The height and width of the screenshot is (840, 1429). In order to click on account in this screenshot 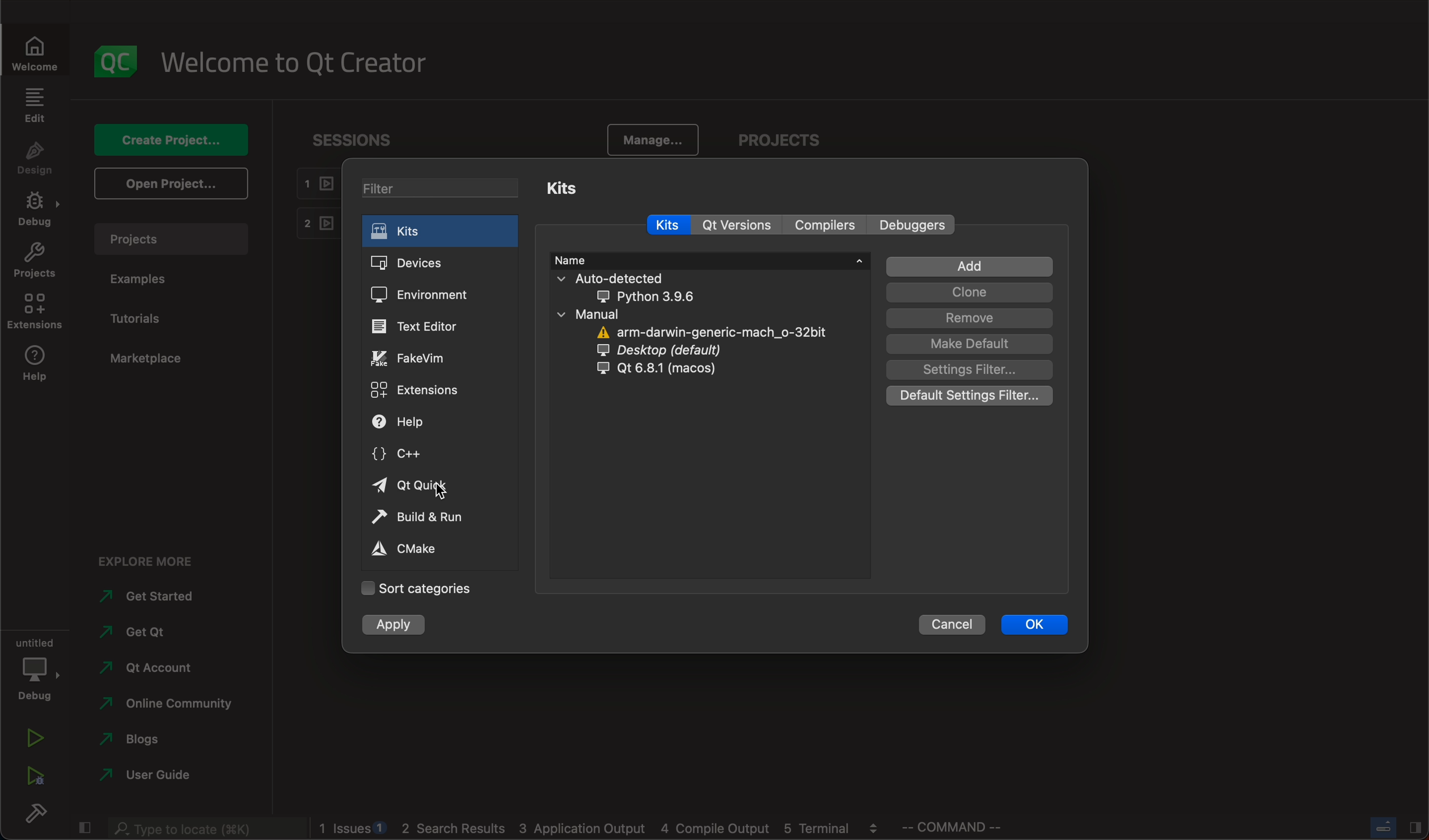, I will do `click(148, 667)`.